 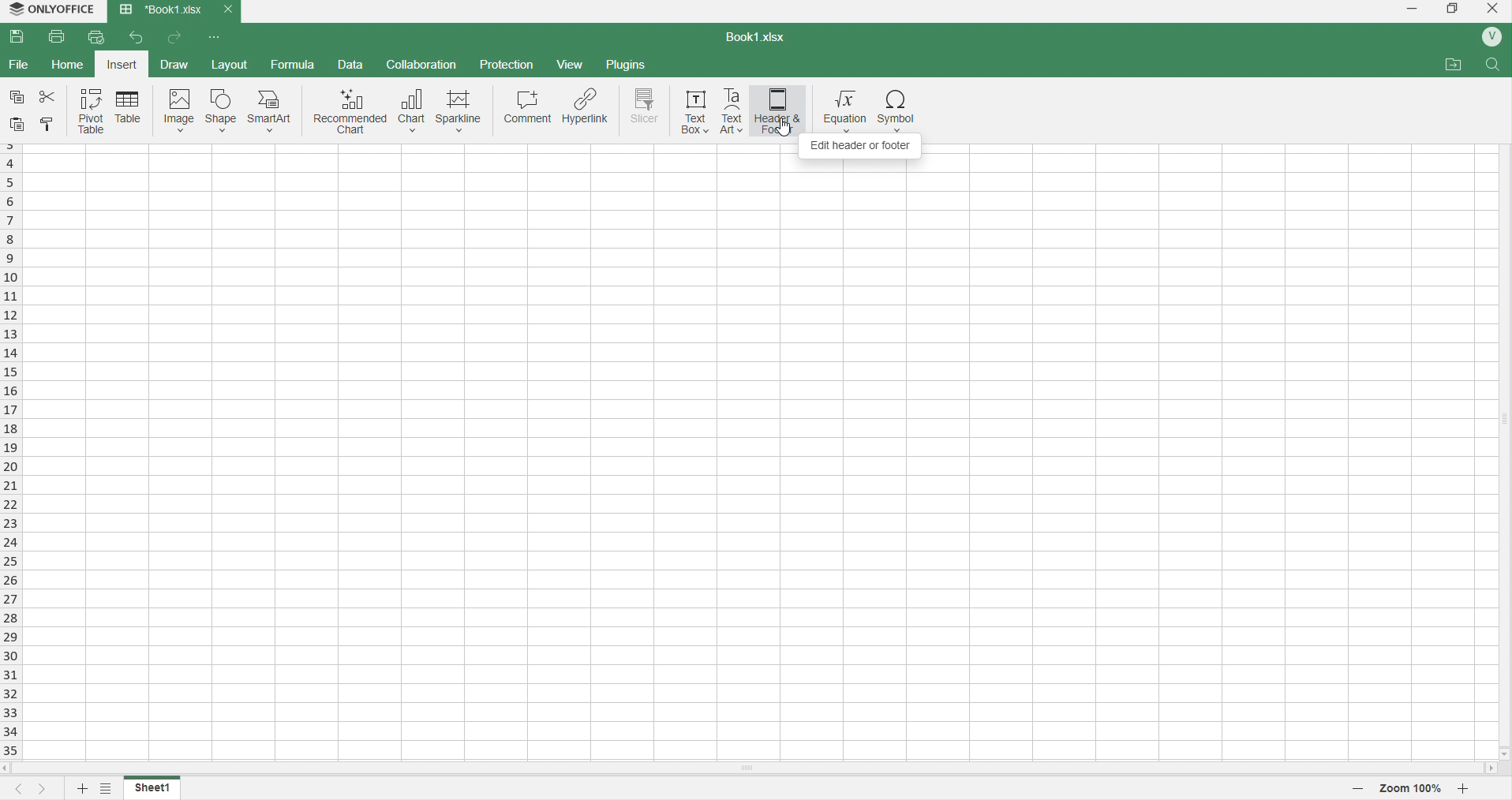 I want to click on cut, so click(x=49, y=97).